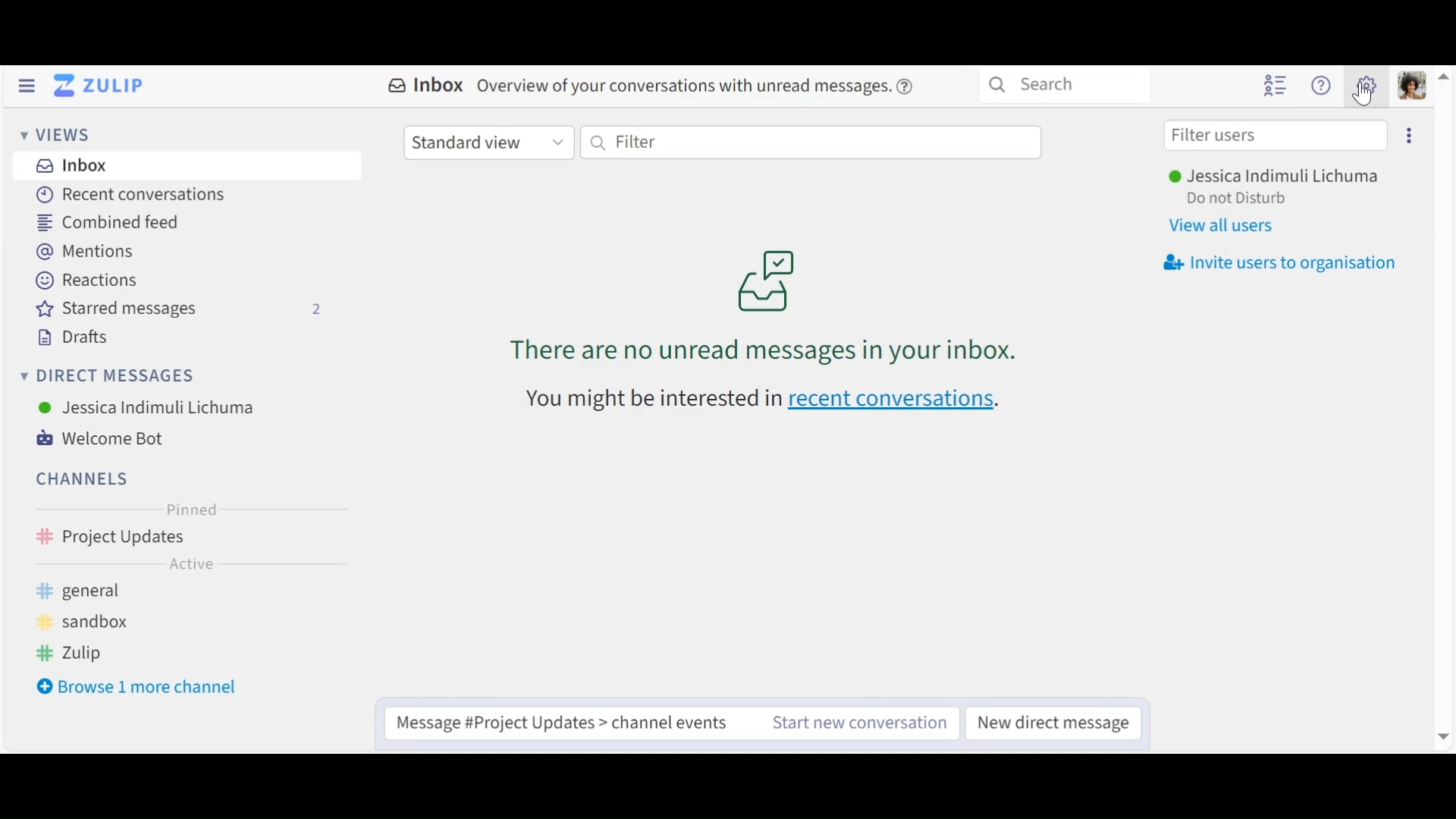 The width and height of the screenshot is (1456, 819). Describe the element at coordinates (80, 480) in the screenshot. I see `Channels` at that location.